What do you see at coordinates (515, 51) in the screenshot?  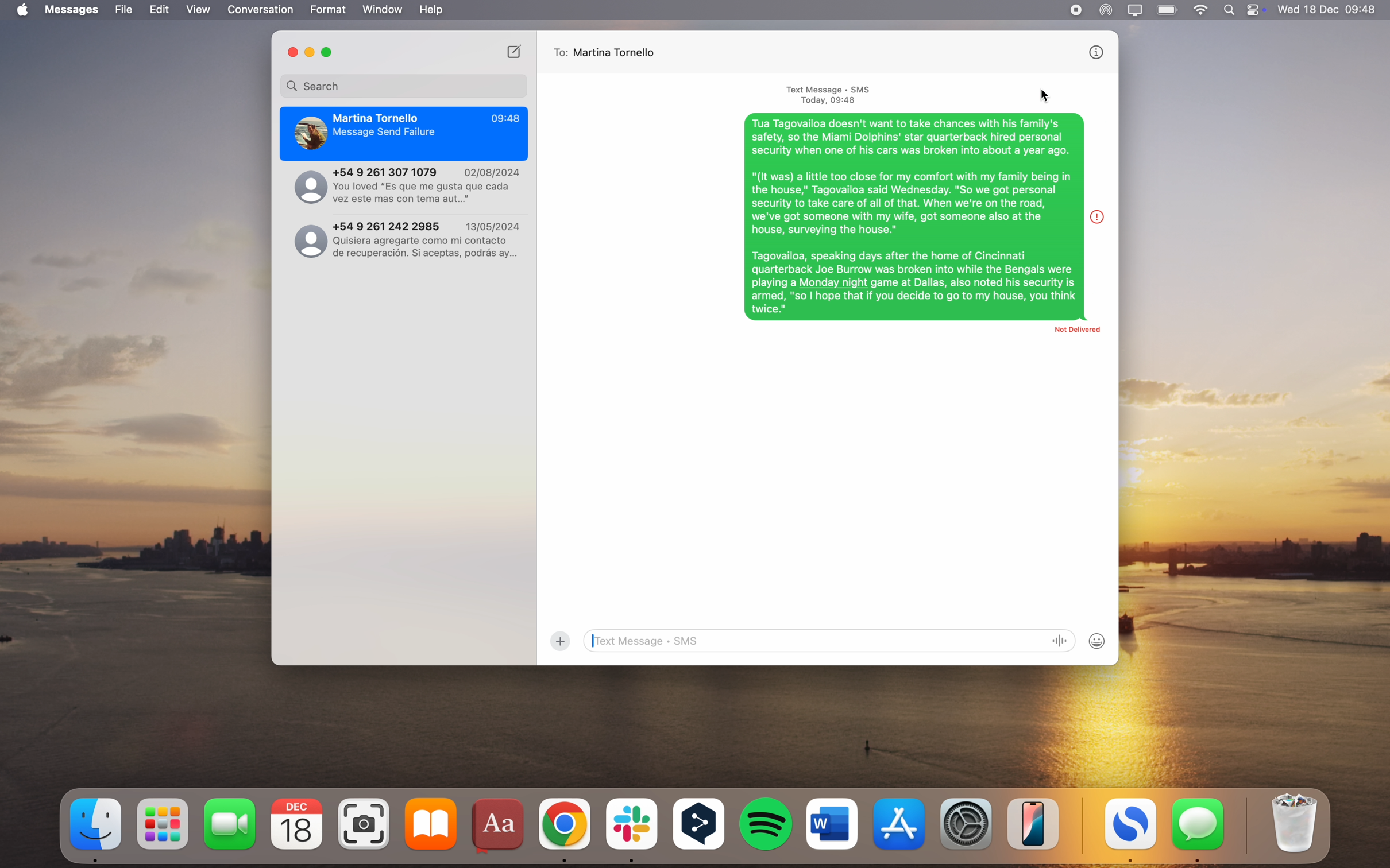 I see `new message` at bounding box center [515, 51].